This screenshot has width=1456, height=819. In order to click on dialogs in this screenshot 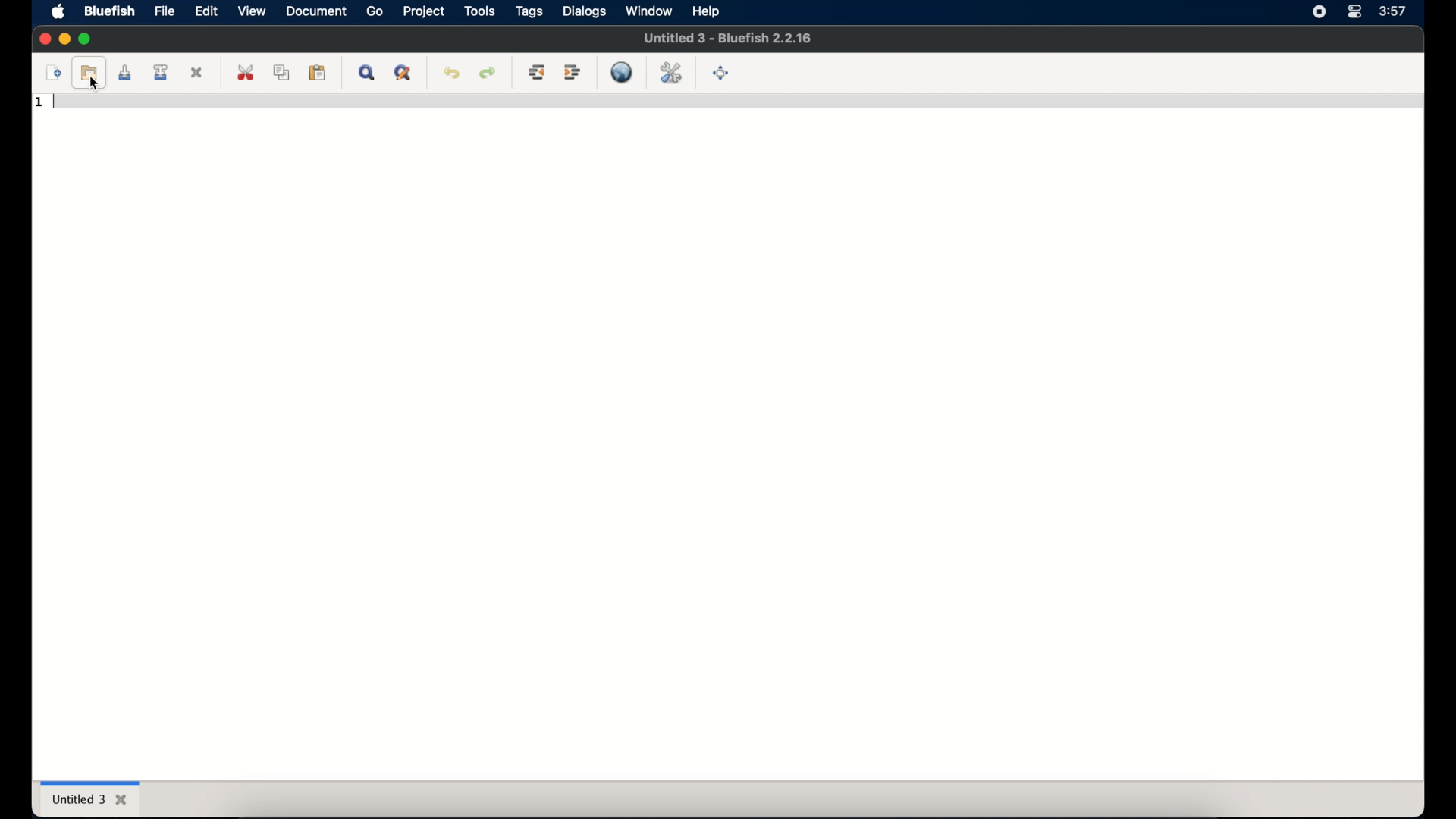, I will do `click(584, 11)`.